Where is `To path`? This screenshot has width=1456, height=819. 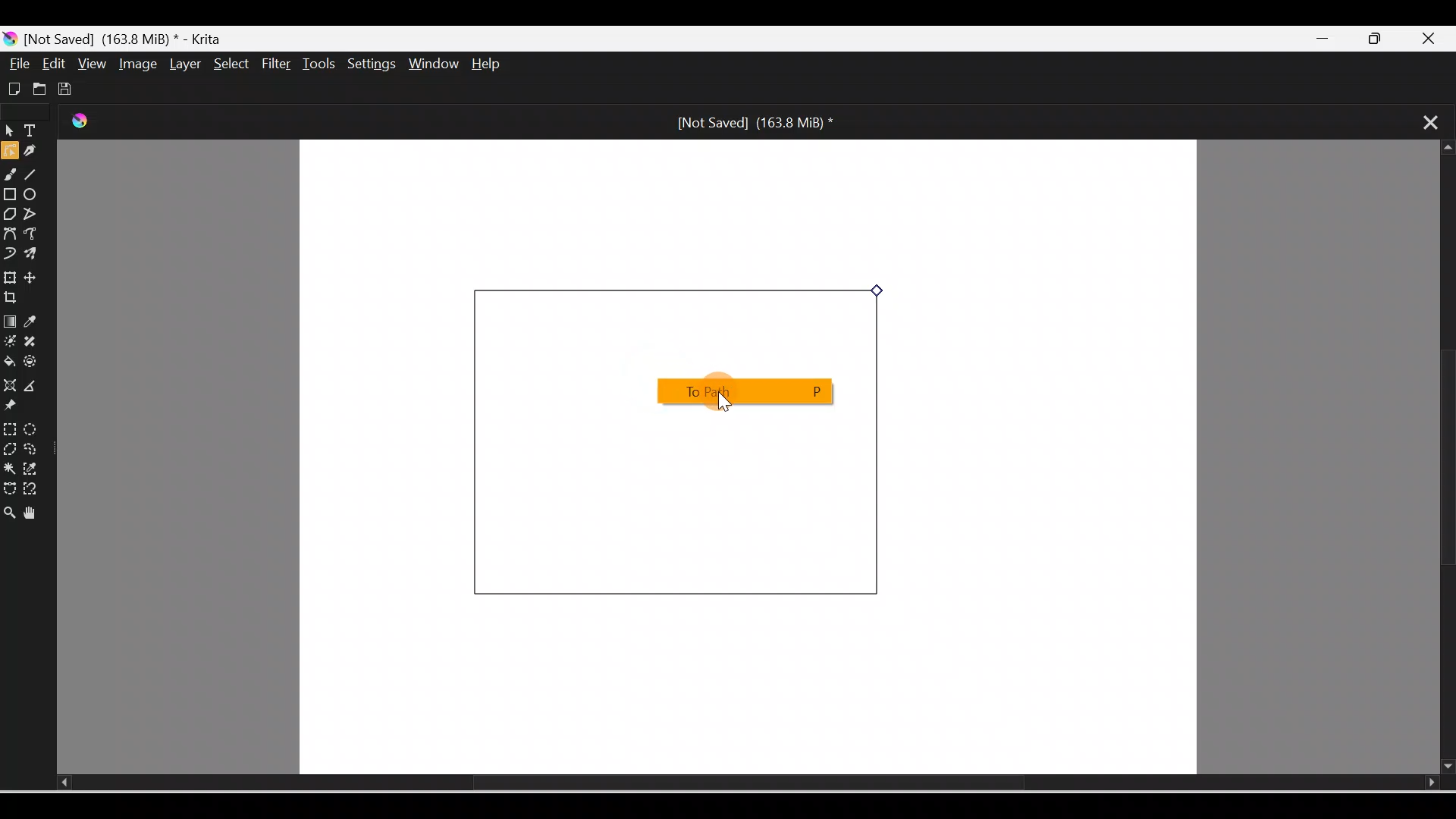 To path is located at coordinates (742, 391).